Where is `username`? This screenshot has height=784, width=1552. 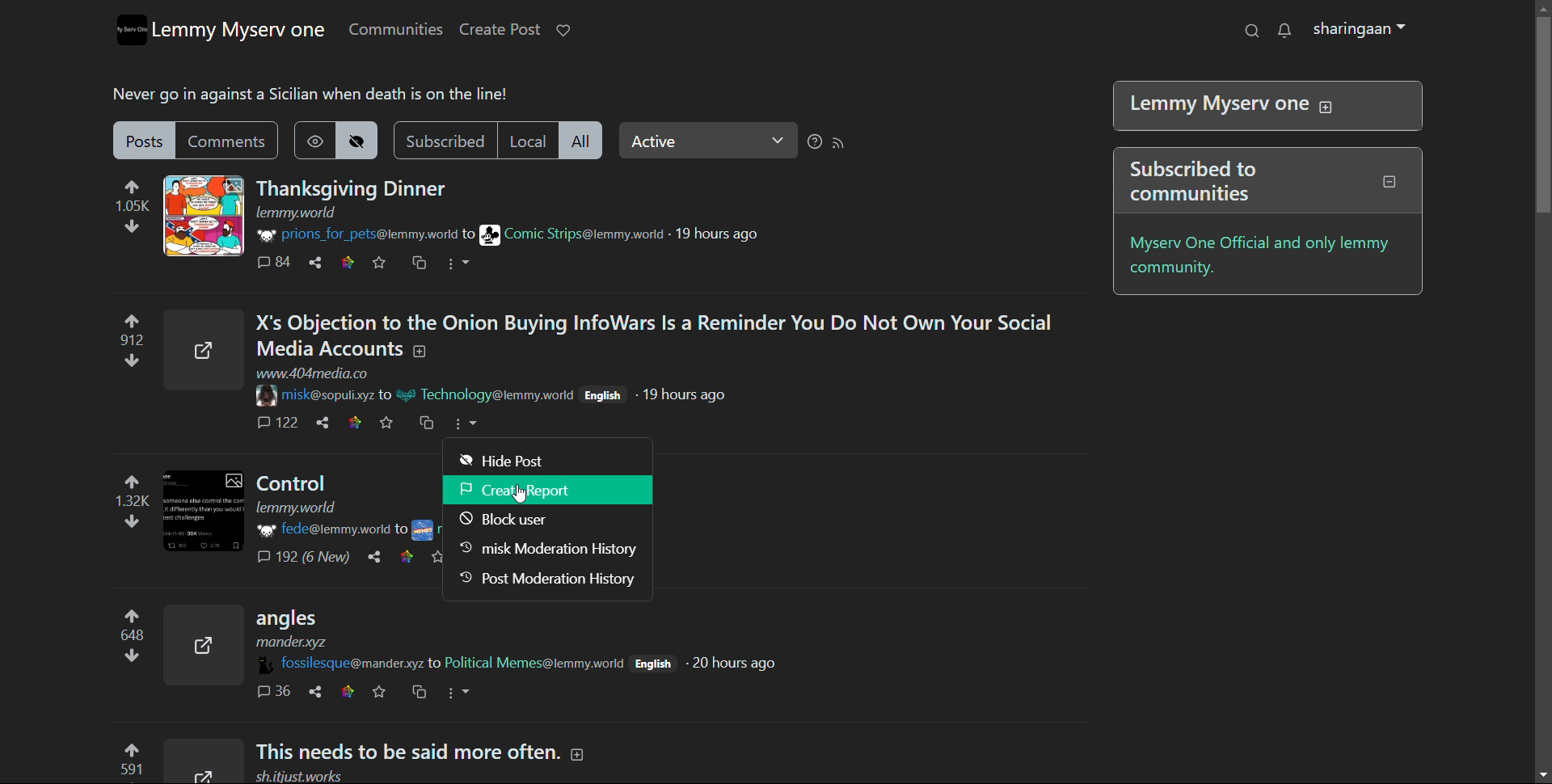
username is located at coordinates (339, 663).